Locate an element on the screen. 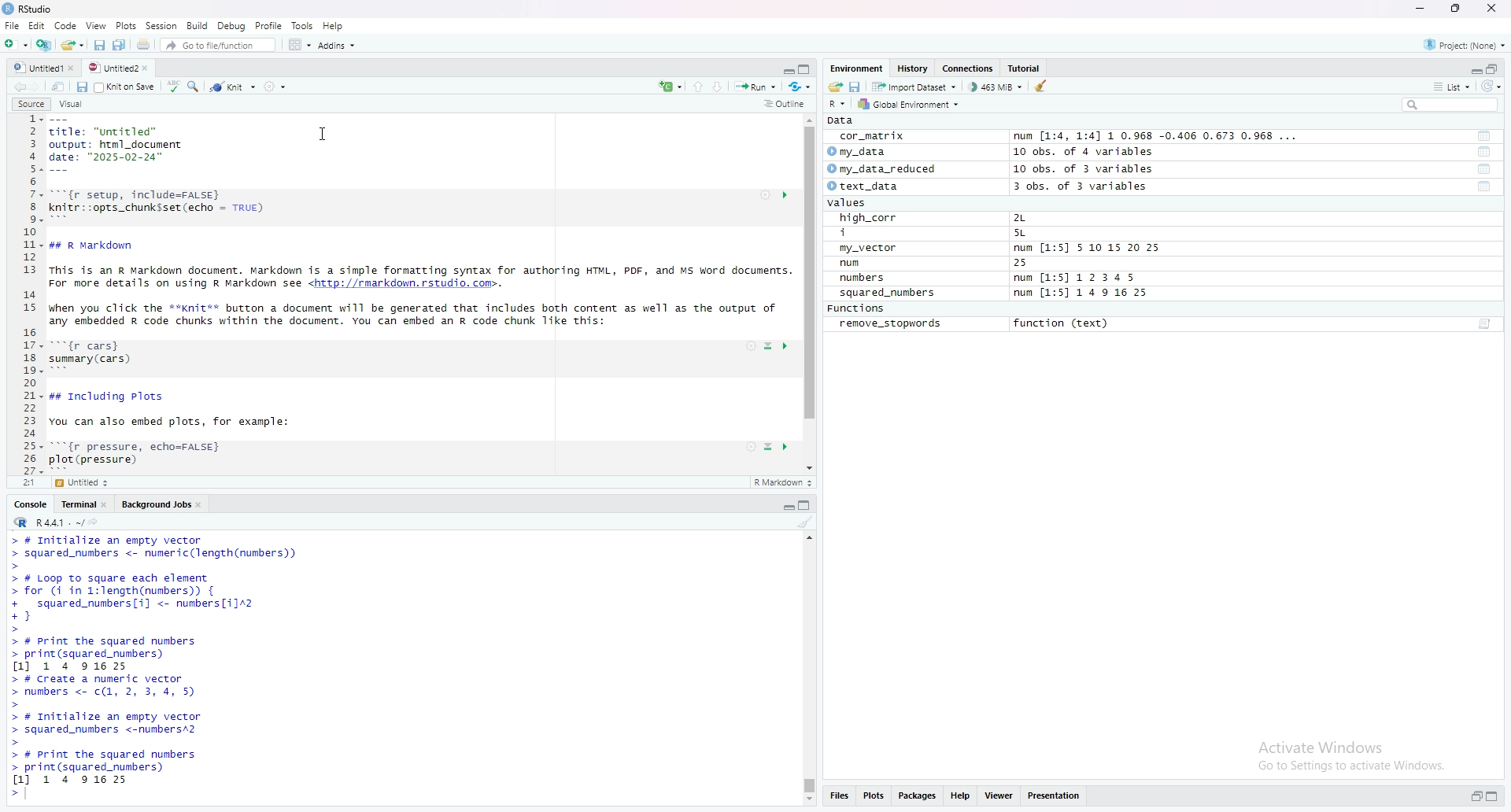  maximize is located at coordinates (1494, 795).